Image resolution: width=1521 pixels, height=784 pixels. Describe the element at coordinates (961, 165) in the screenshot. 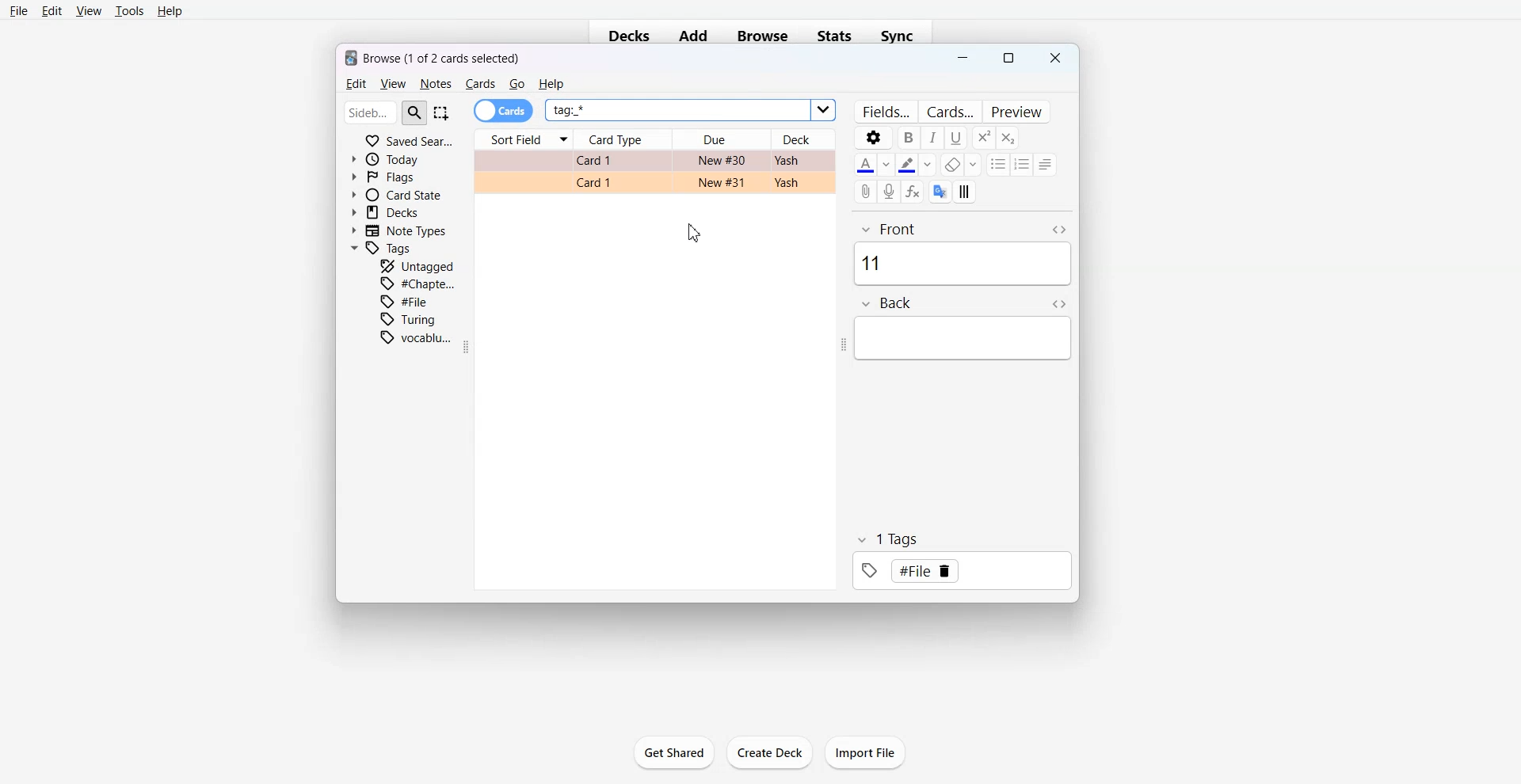

I see `Erase Format` at that location.